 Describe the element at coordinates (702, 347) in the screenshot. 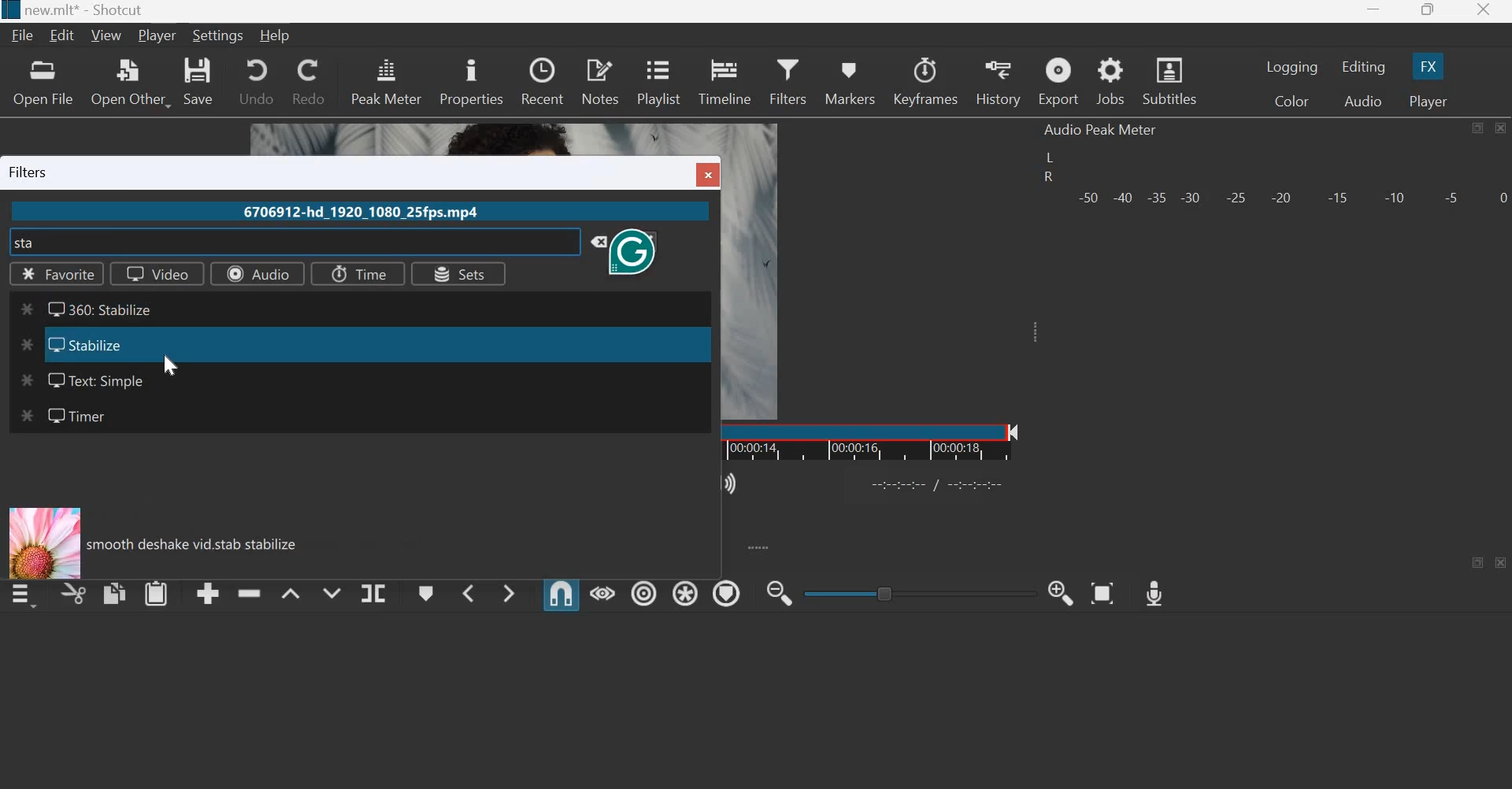

I see `scrollbar` at that location.